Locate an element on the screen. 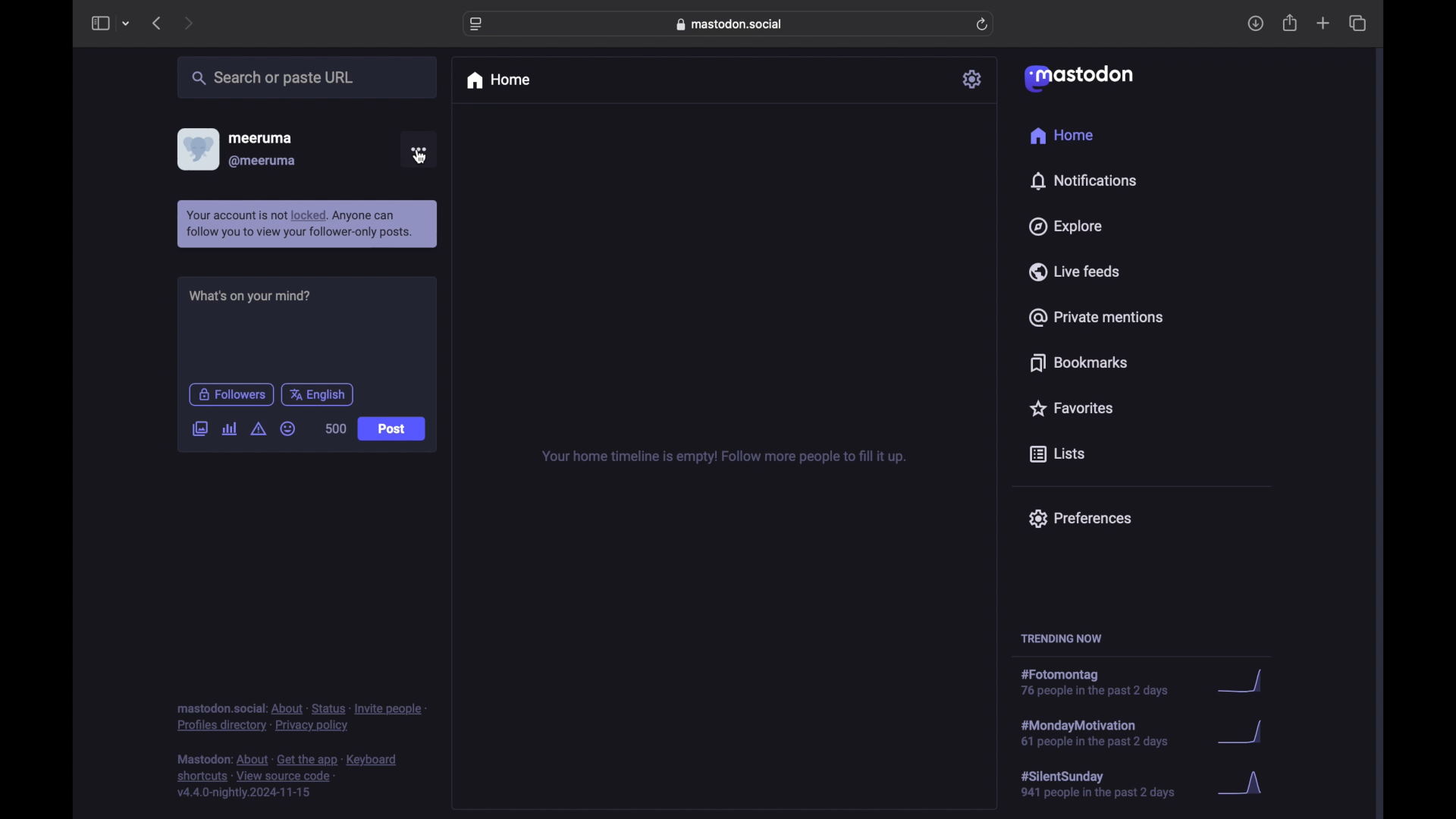 The image size is (1456, 819). favorites is located at coordinates (1073, 409).